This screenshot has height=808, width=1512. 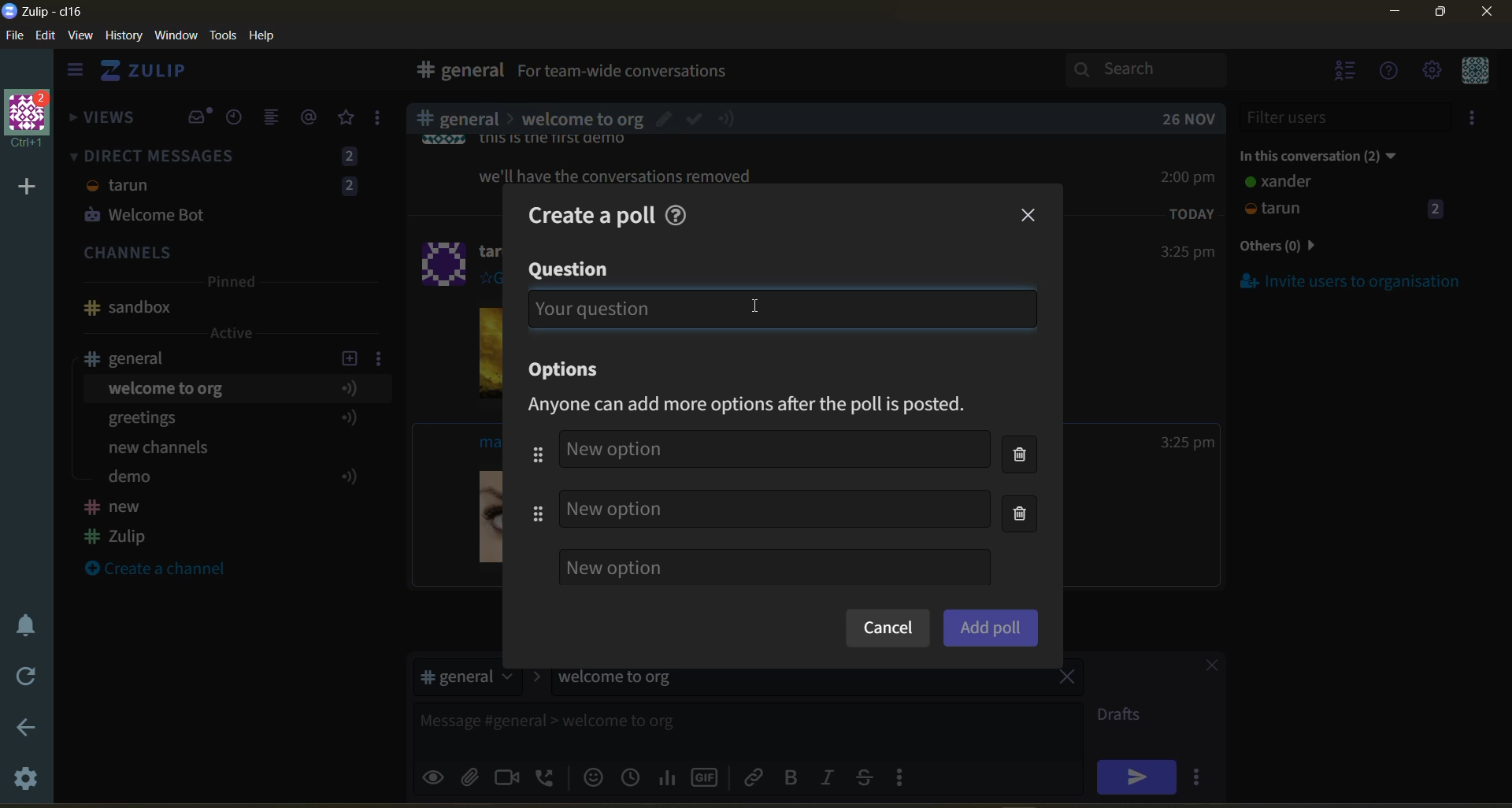 I want to click on create a channel, so click(x=165, y=570).